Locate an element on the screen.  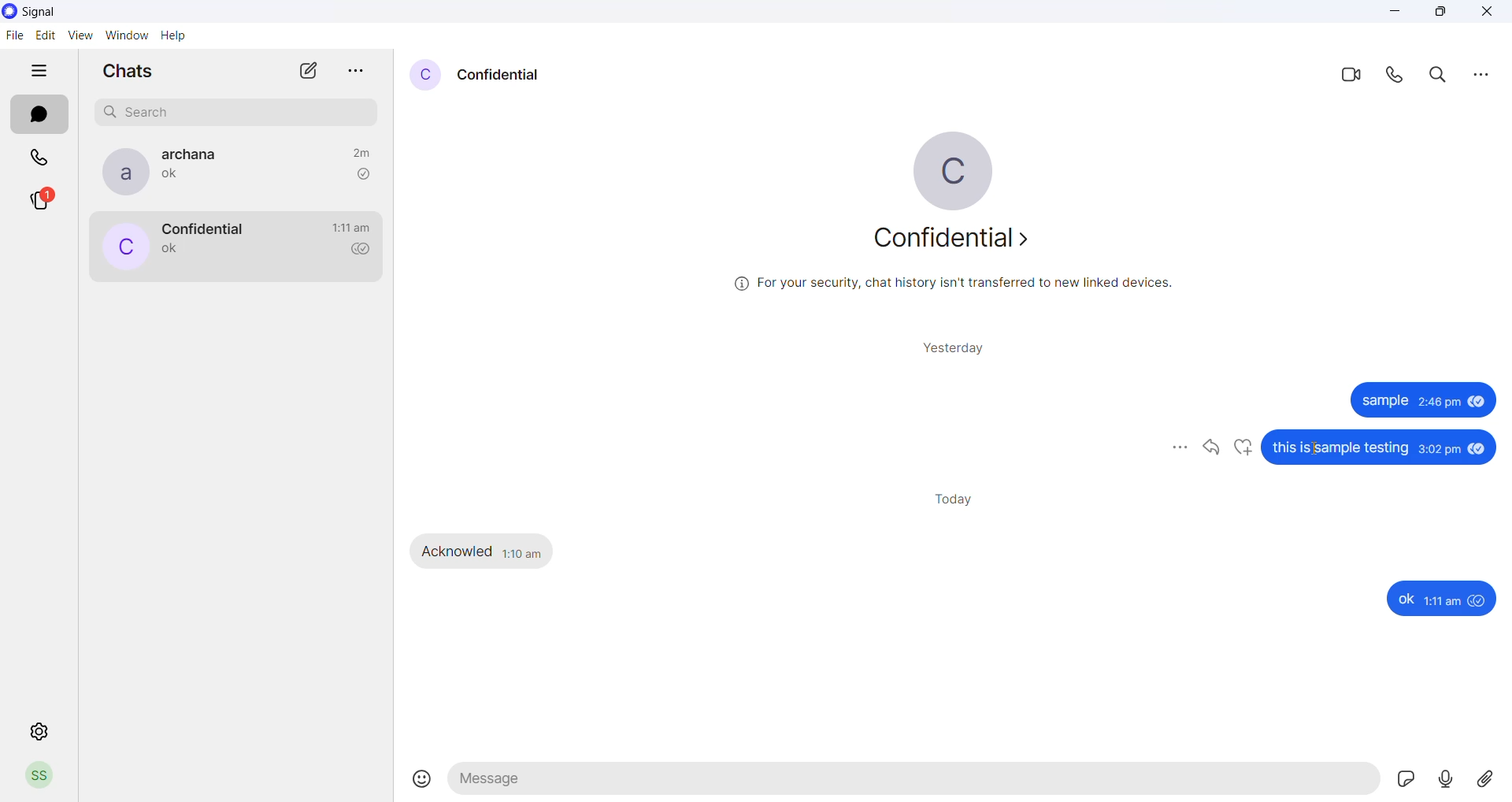
sample is located at coordinates (1383, 402).